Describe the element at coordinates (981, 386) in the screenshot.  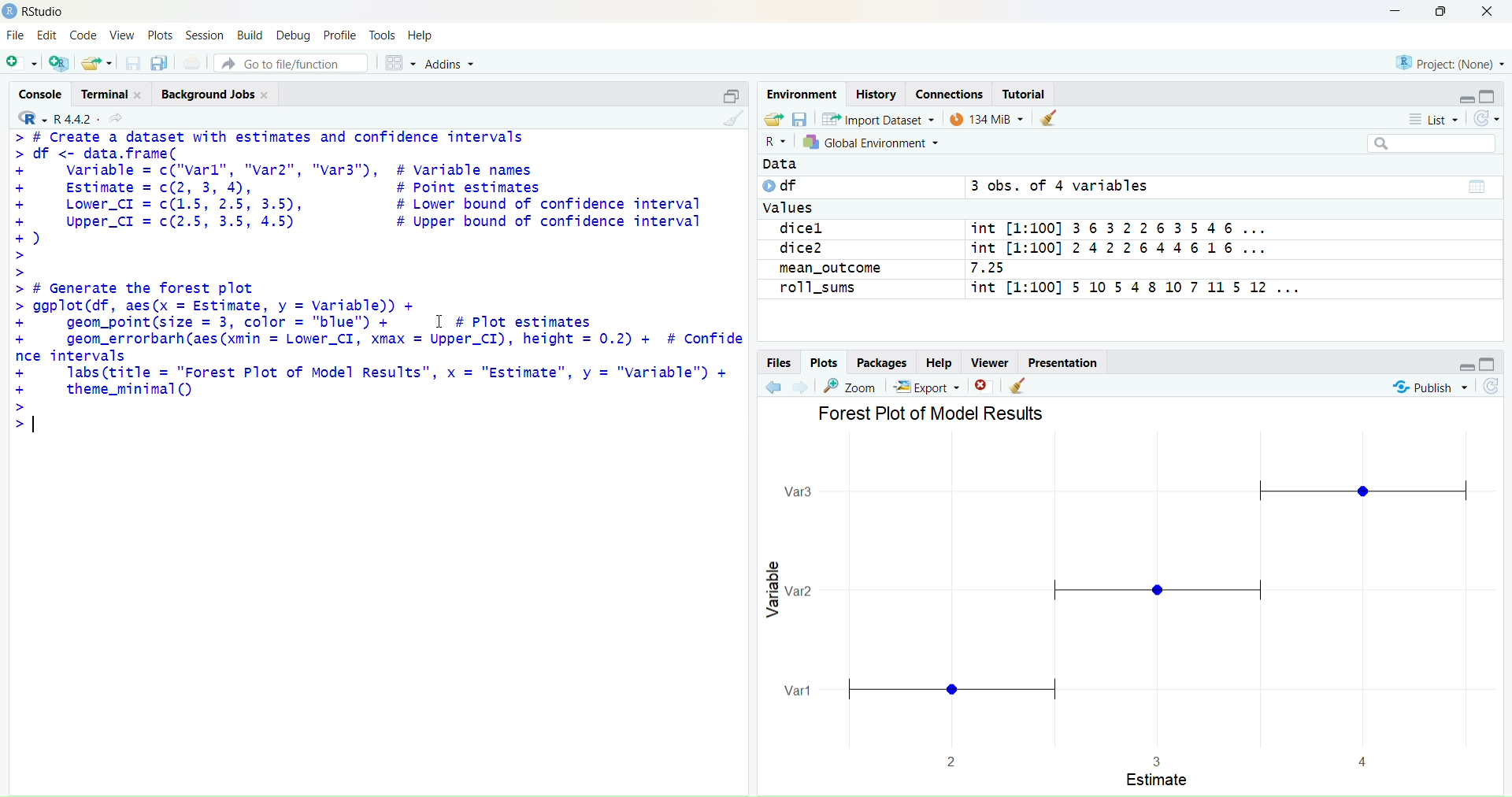
I see `close` at that location.